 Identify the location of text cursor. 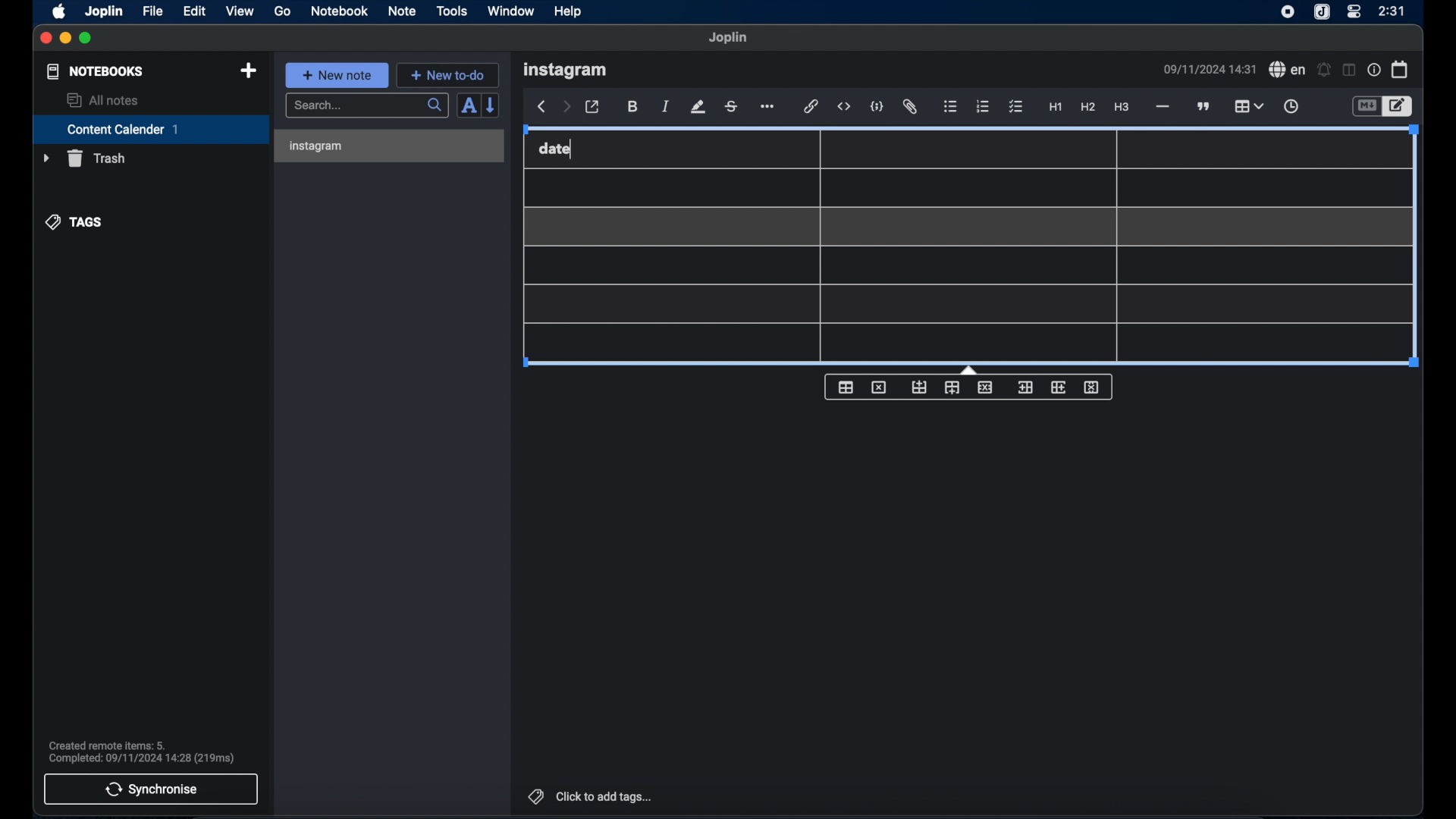
(582, 152).